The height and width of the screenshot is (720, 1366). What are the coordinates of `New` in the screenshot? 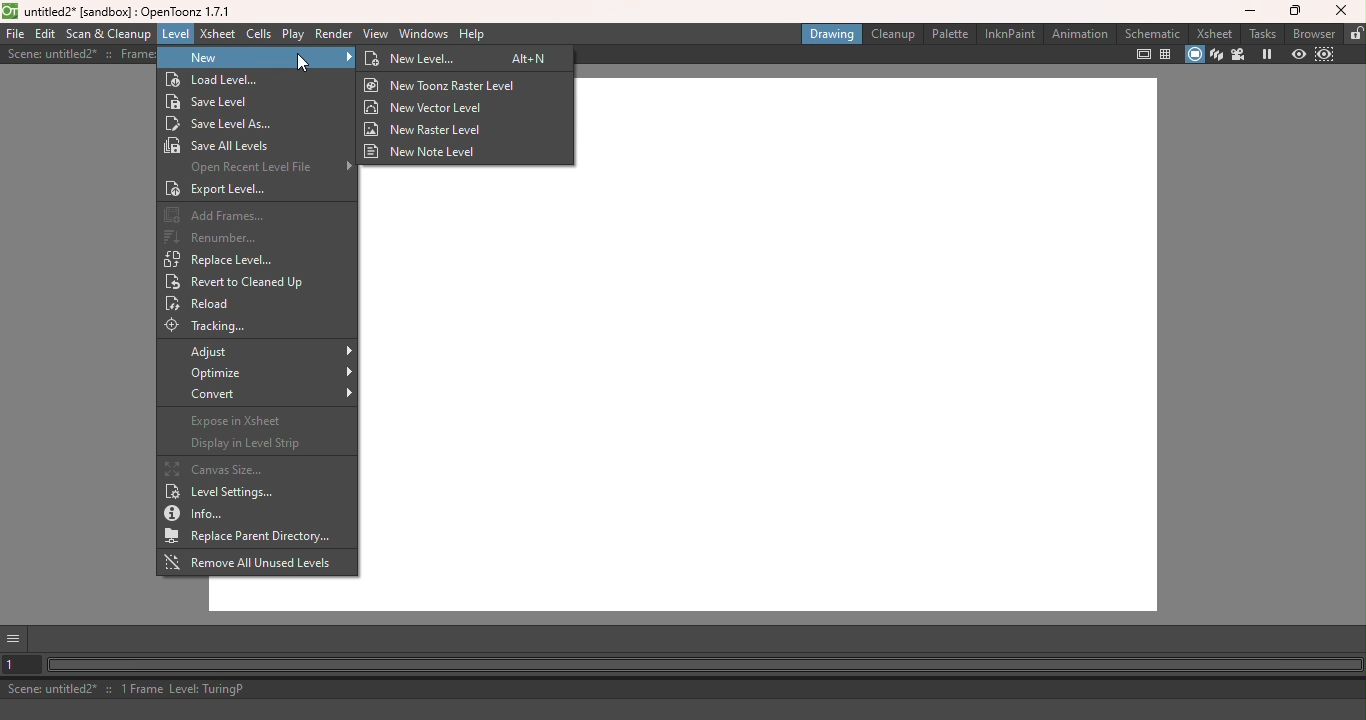 It's located at (256, 59).